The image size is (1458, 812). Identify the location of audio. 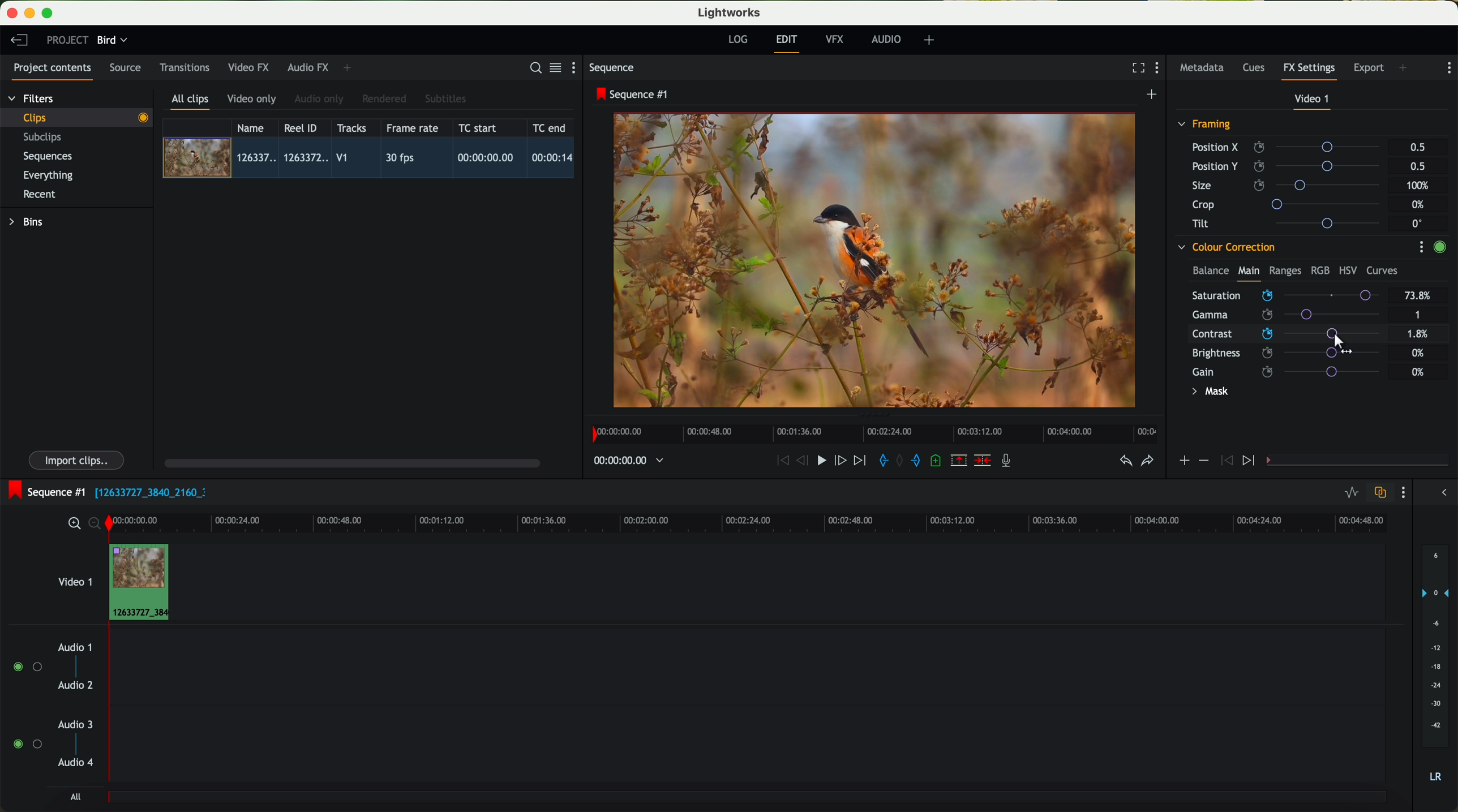
(886, 39).